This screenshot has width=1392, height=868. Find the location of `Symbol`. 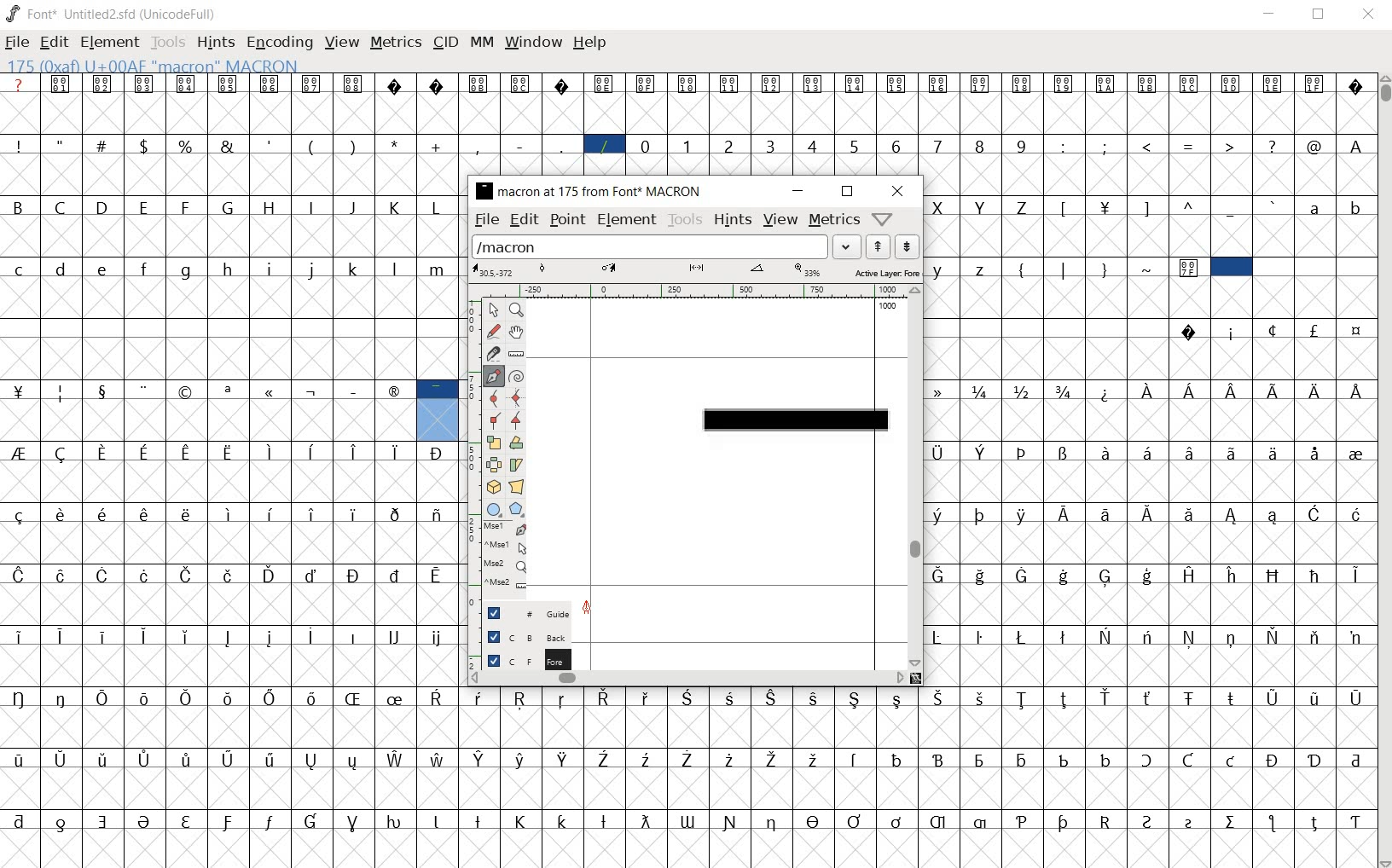

Symbol is located at coordinates (272, 575).